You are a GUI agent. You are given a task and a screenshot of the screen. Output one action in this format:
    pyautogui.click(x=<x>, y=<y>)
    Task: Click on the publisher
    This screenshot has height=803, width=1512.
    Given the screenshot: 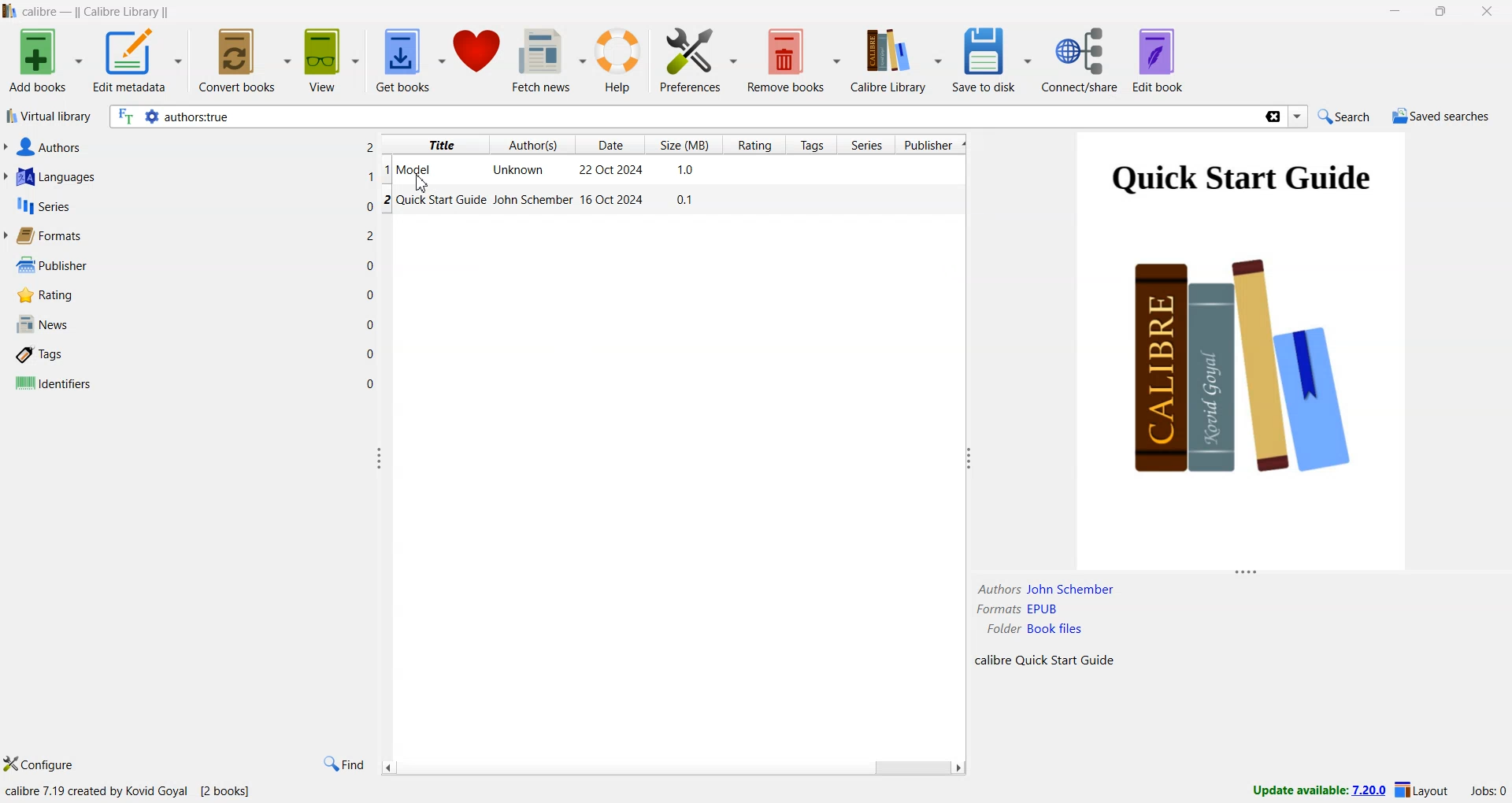 What is the action you would take?
    pyautogui.click(x=49, y=265)
    